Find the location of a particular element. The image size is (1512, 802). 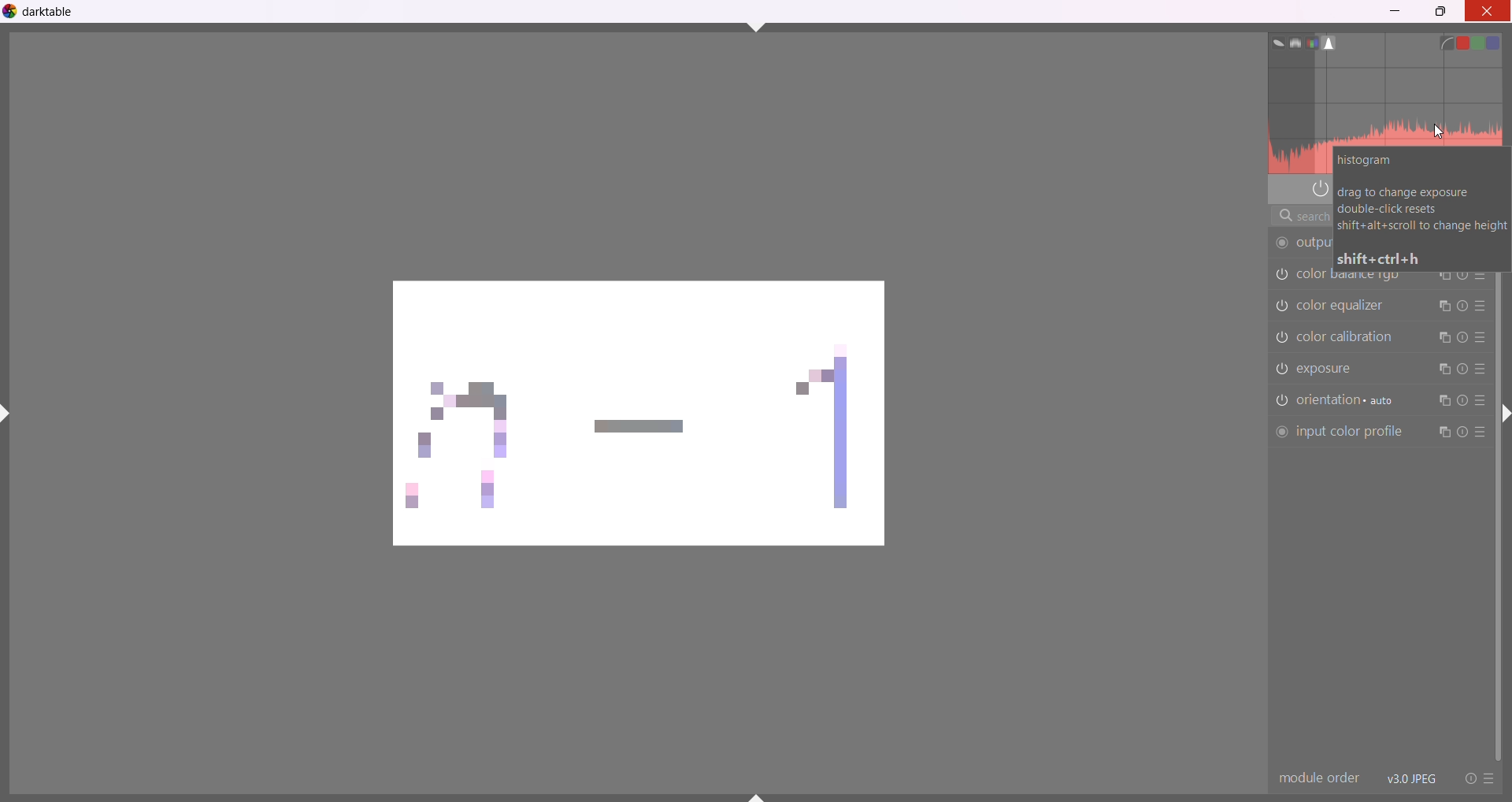

color balance rgb is located at coordinates (1278, 275).